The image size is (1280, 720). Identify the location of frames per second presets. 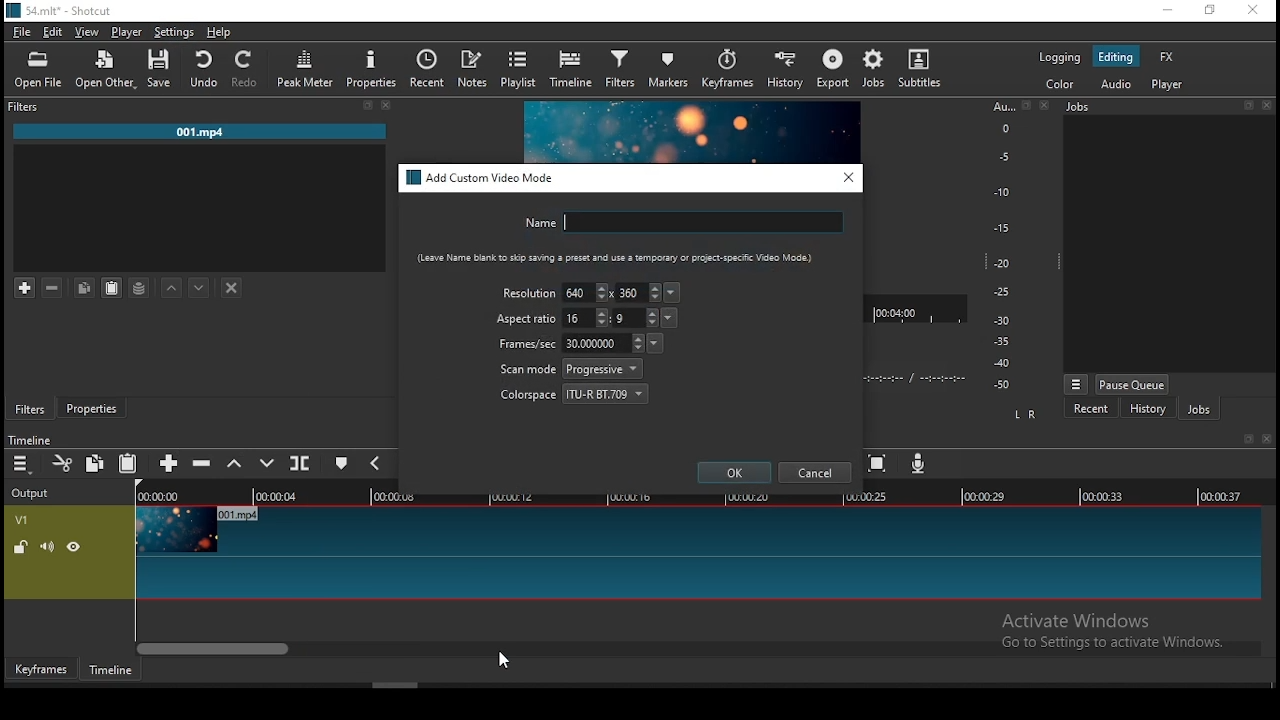
(654, 342).